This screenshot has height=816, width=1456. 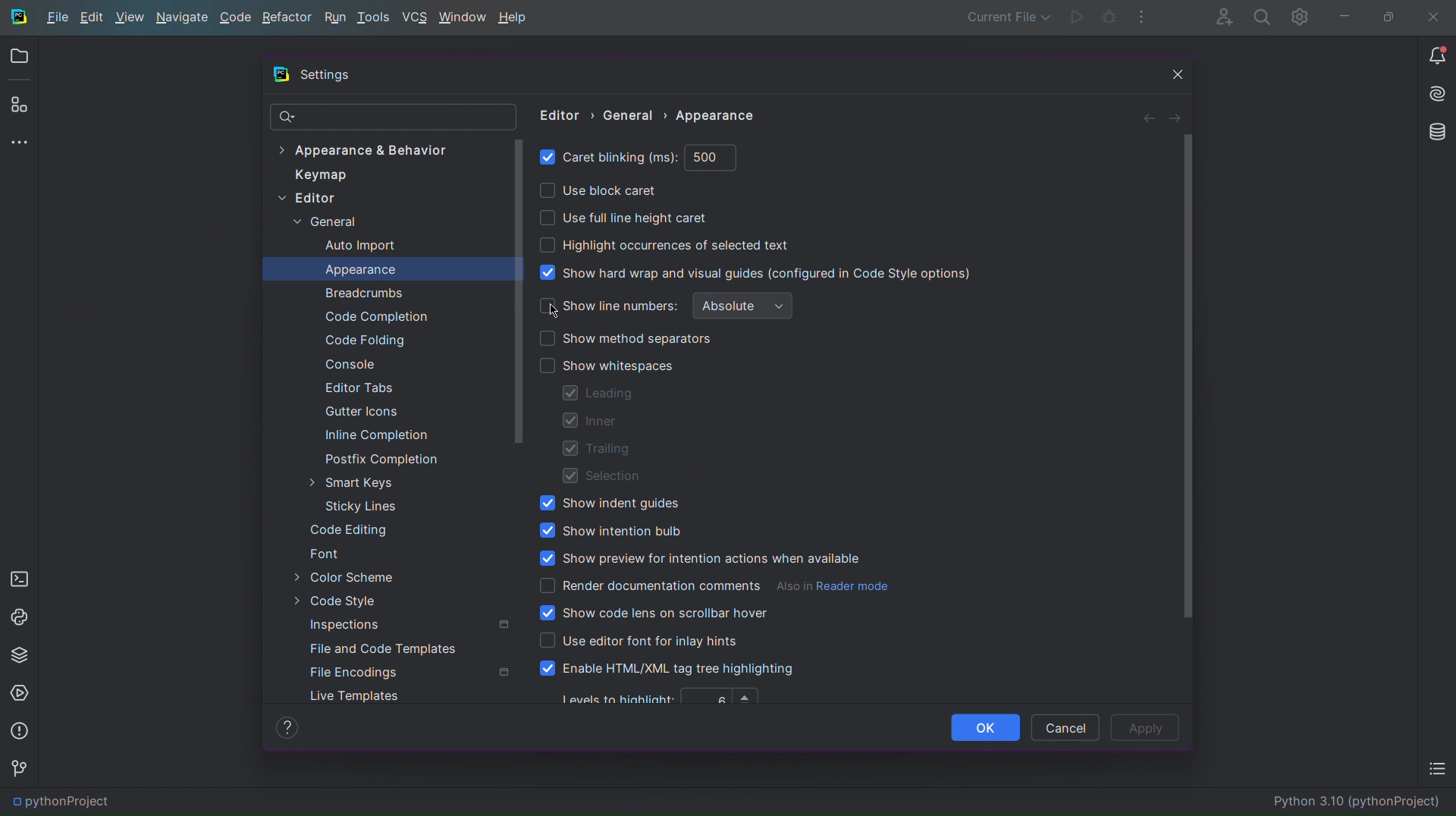 What do you see at coordinates (237, 17) in the screenshot?
I see `Code` at bounding box center [237, 17].